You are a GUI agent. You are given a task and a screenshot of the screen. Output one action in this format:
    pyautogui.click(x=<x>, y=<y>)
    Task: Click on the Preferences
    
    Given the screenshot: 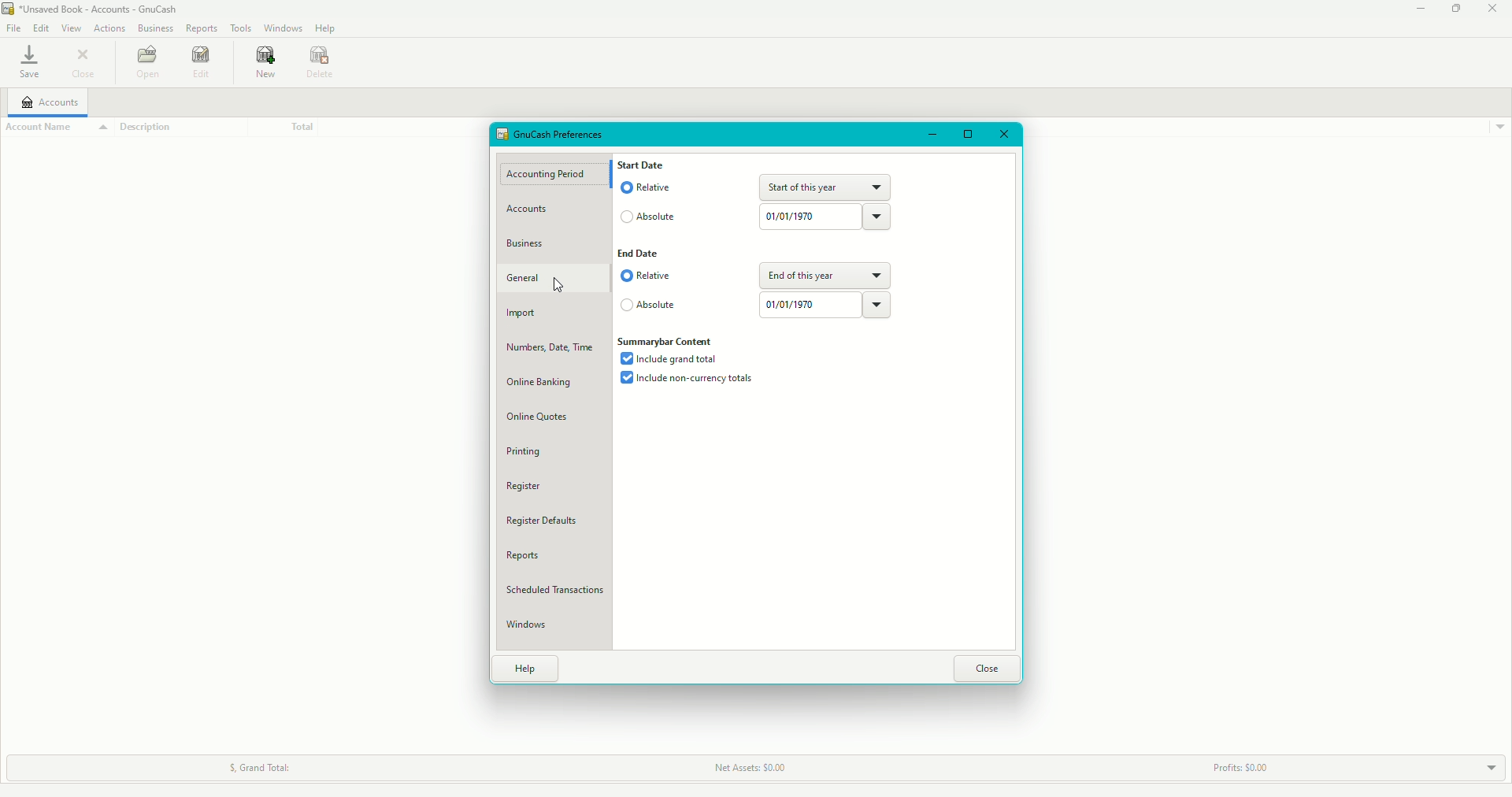 What is the action you would take?
    pyautogui.click(x=552, y=135)
    